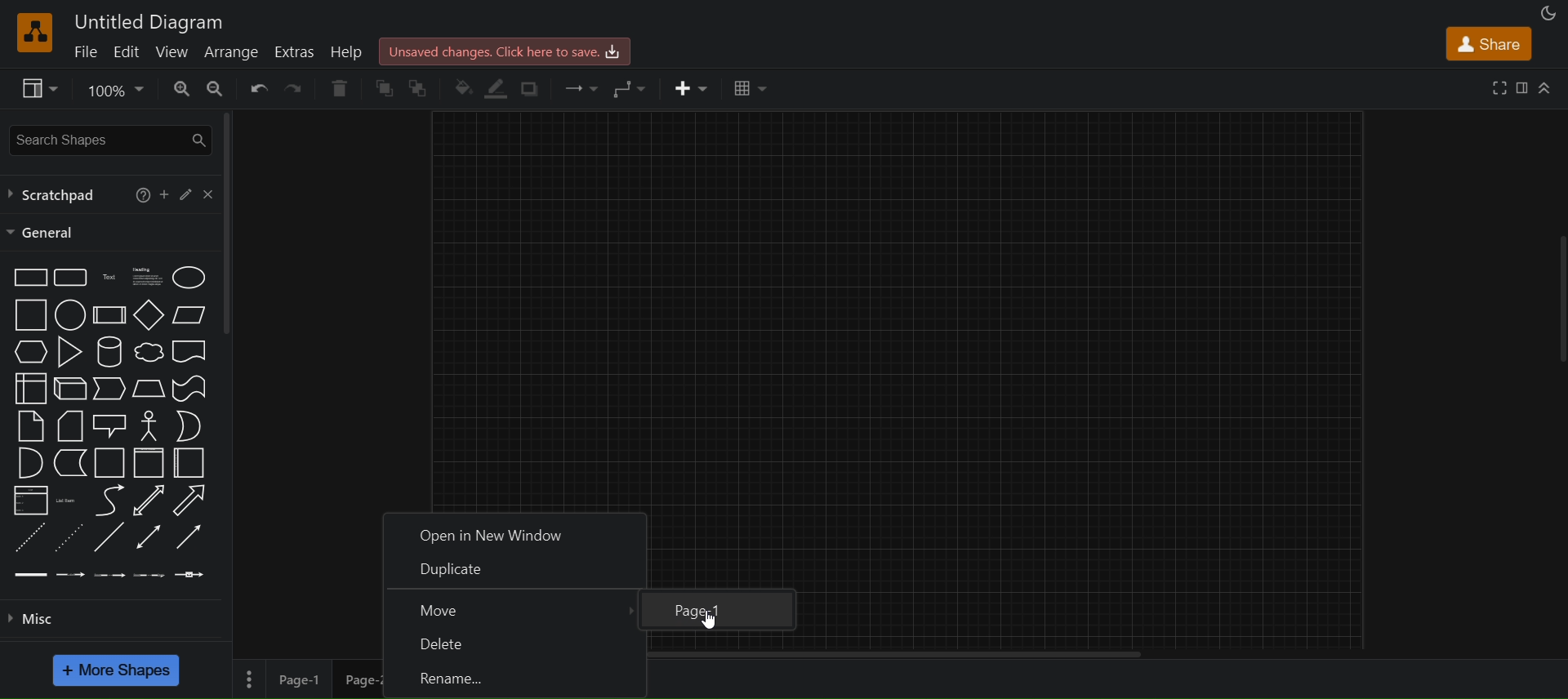  I want to click on data storage, so click(69, 463).